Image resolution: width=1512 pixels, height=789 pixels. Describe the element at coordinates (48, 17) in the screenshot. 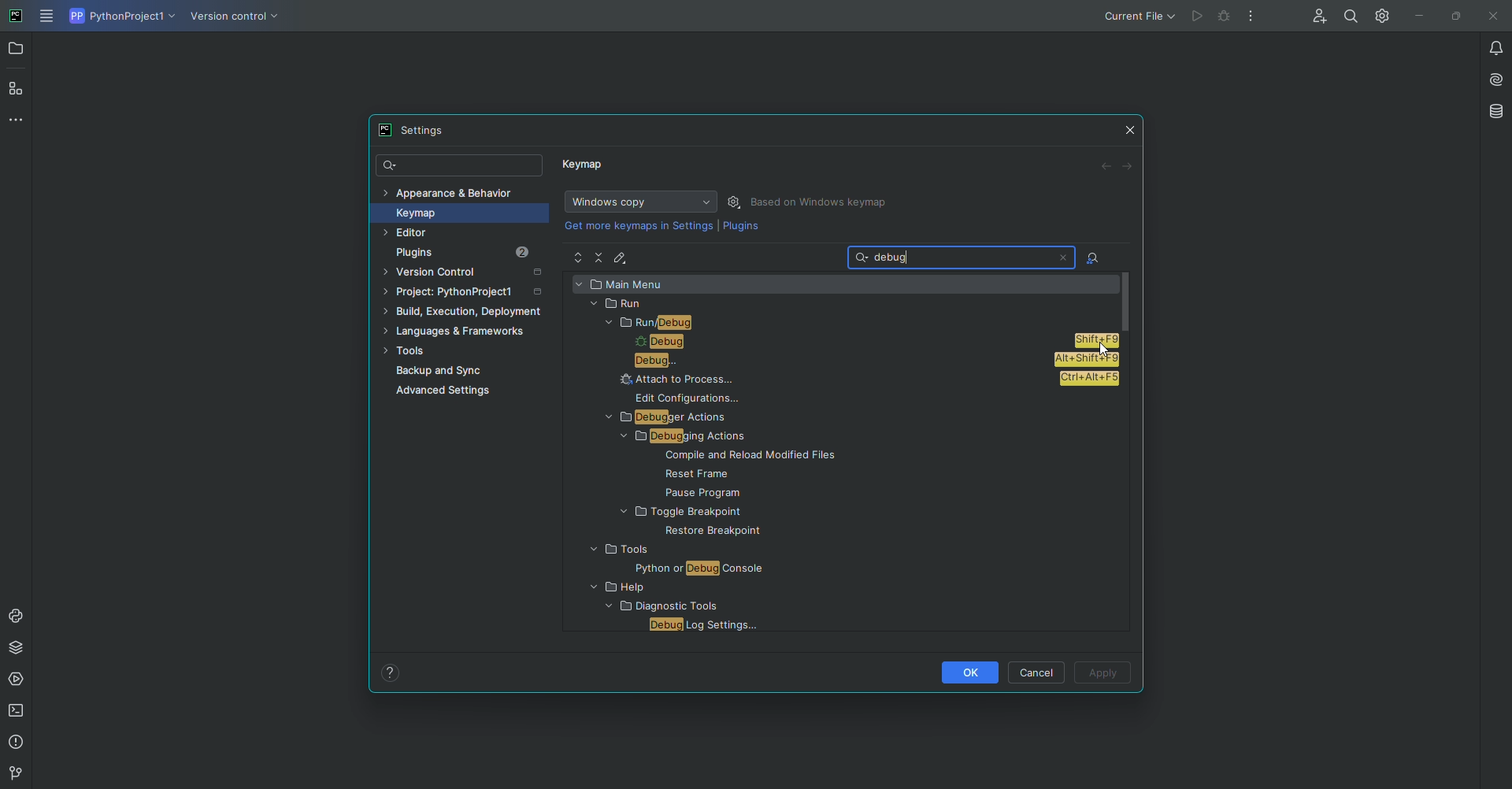

I see `Main Menu` at that location.